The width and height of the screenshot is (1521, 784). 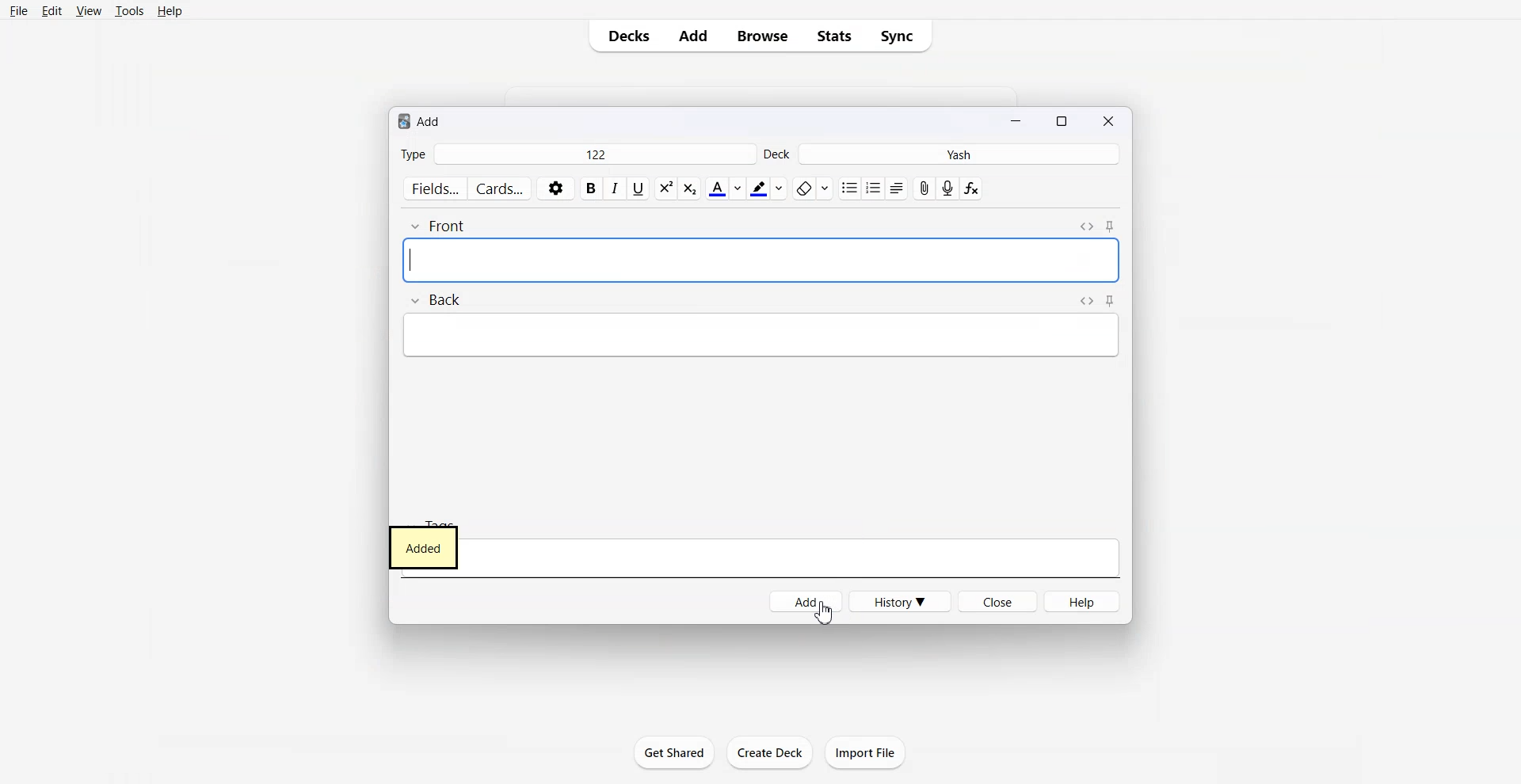 I want to click on Equation, so click(x=974, y=188).